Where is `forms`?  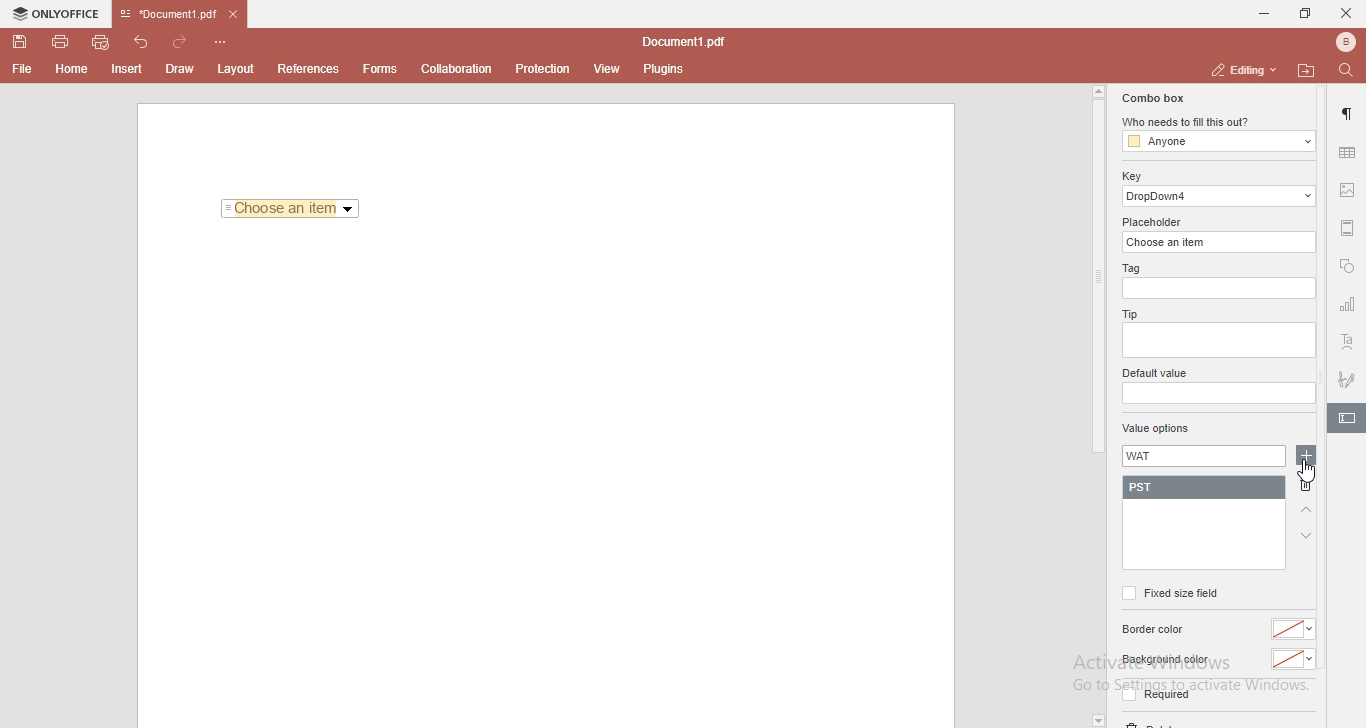
forms is located at coordinates (380, 69).